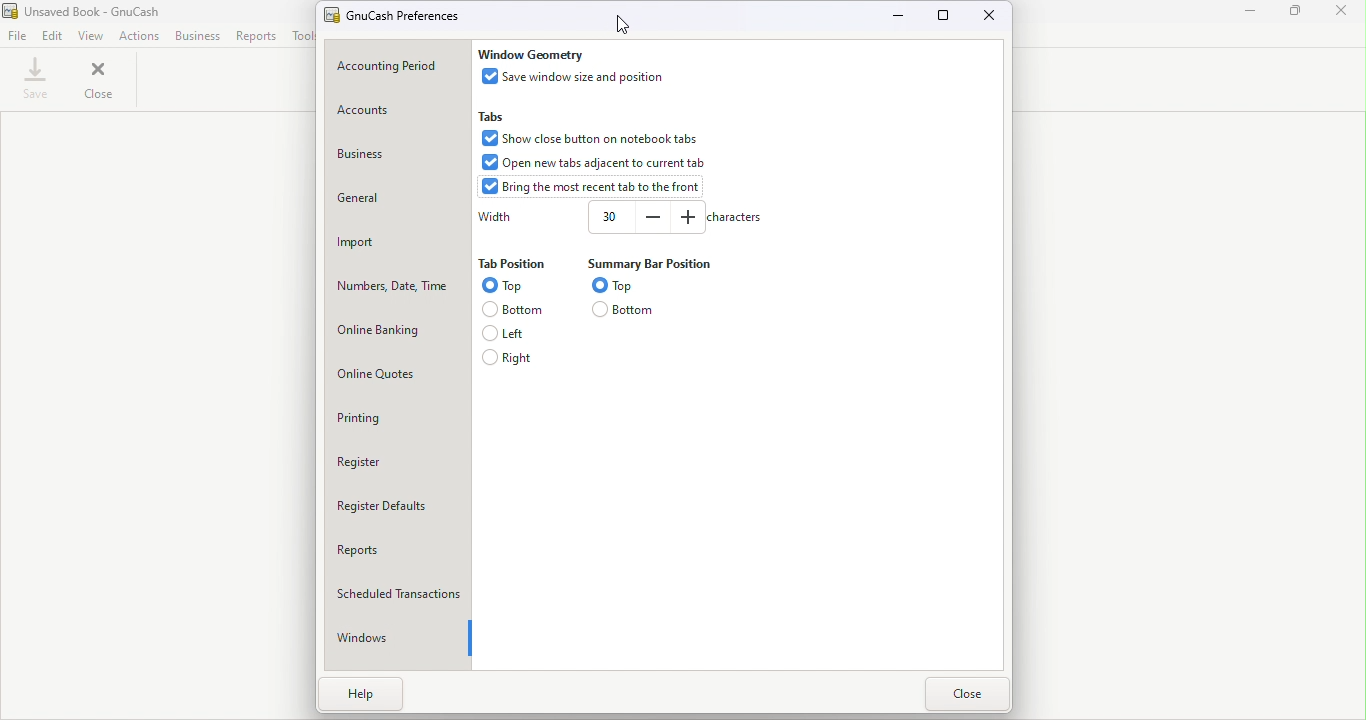 The height and width of the screenshot is (720, 1366). I want to click on Bottom, so click(509, 308).